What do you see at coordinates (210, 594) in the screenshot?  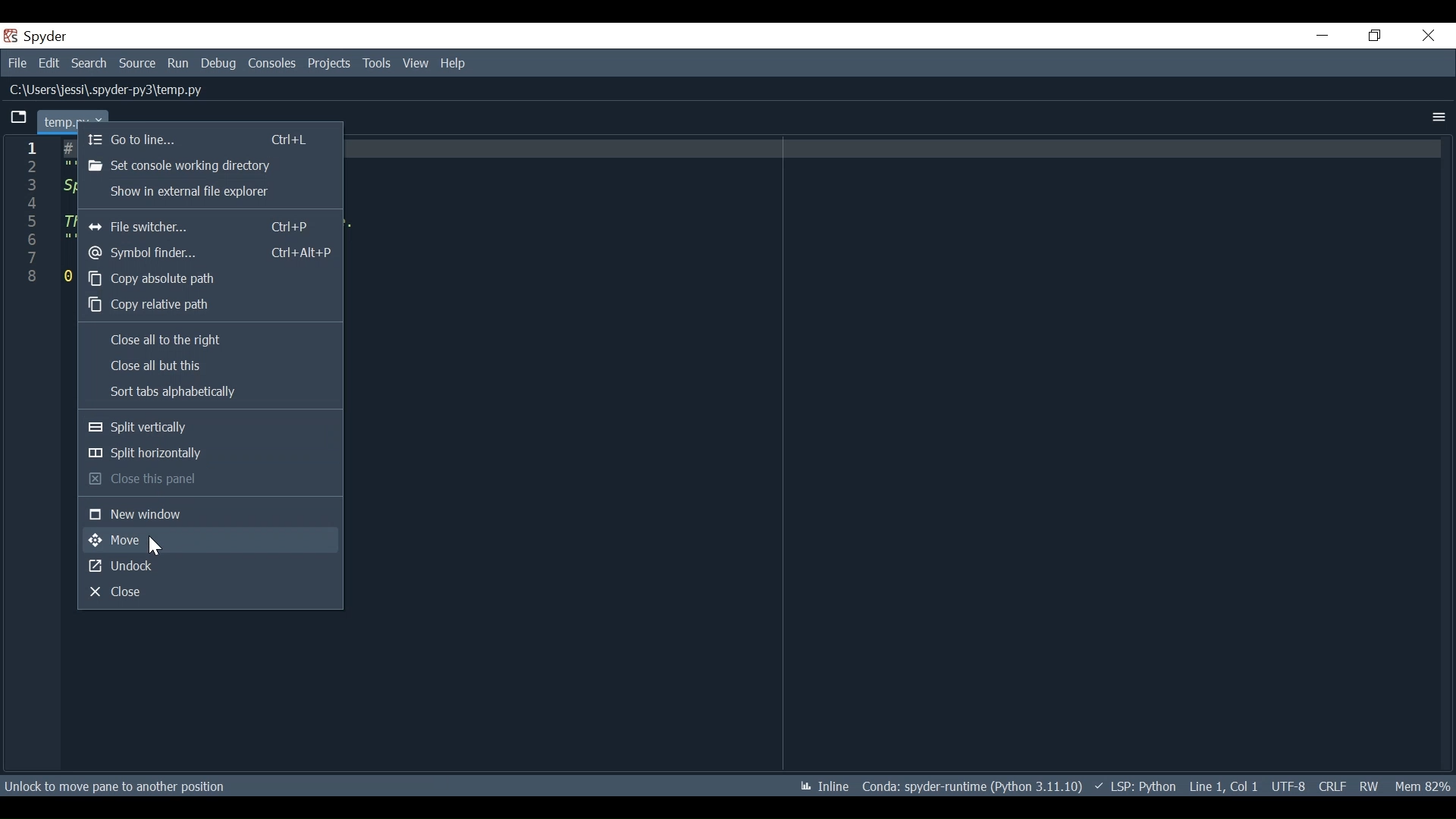 I see `Close` at bounding box center [210, 594].